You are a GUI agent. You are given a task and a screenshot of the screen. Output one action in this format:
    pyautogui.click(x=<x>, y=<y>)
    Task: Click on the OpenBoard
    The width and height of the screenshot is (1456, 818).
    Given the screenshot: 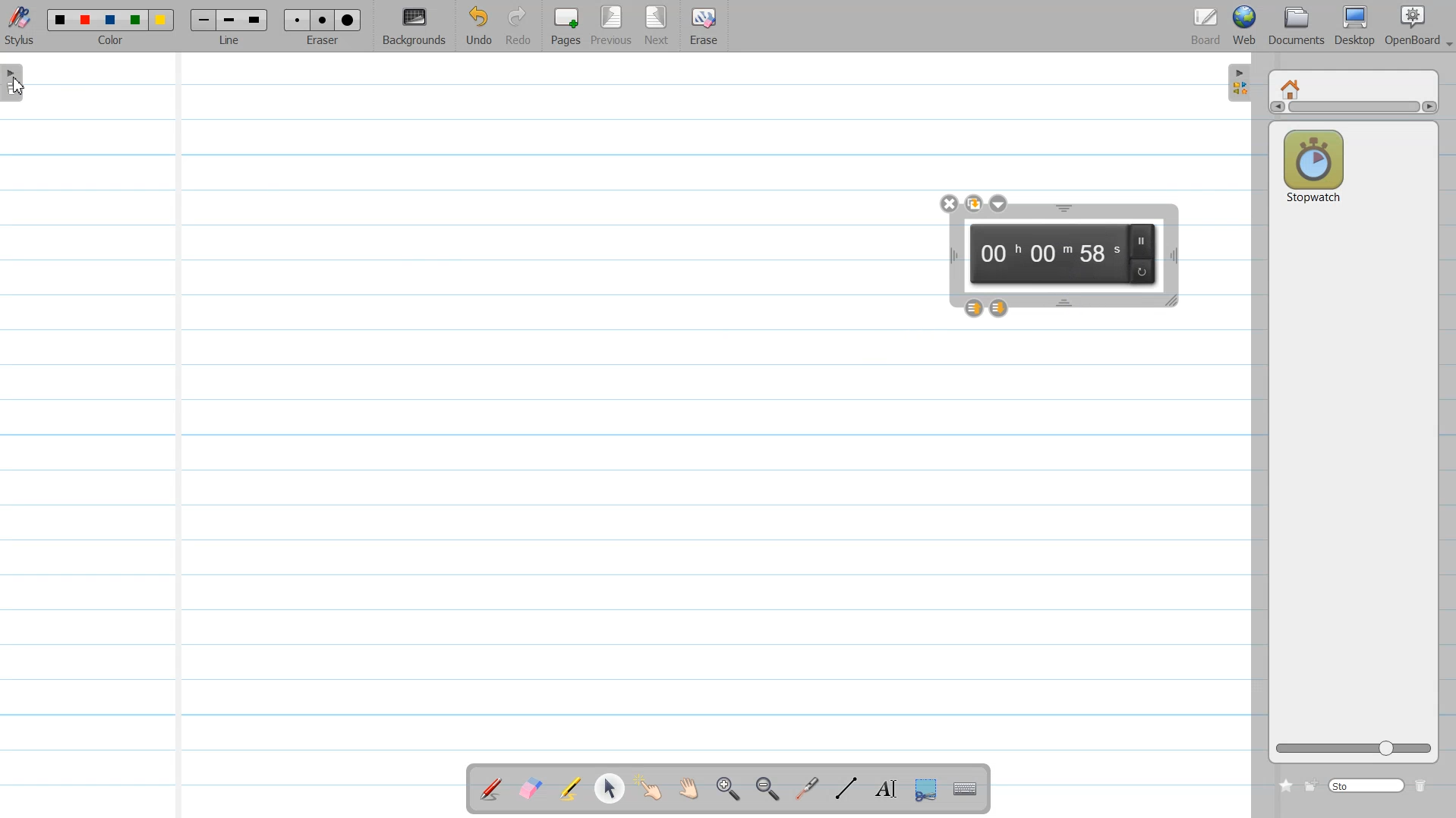 What is the action you would take?
    pyautogui.click(x=1410, y=26)
    